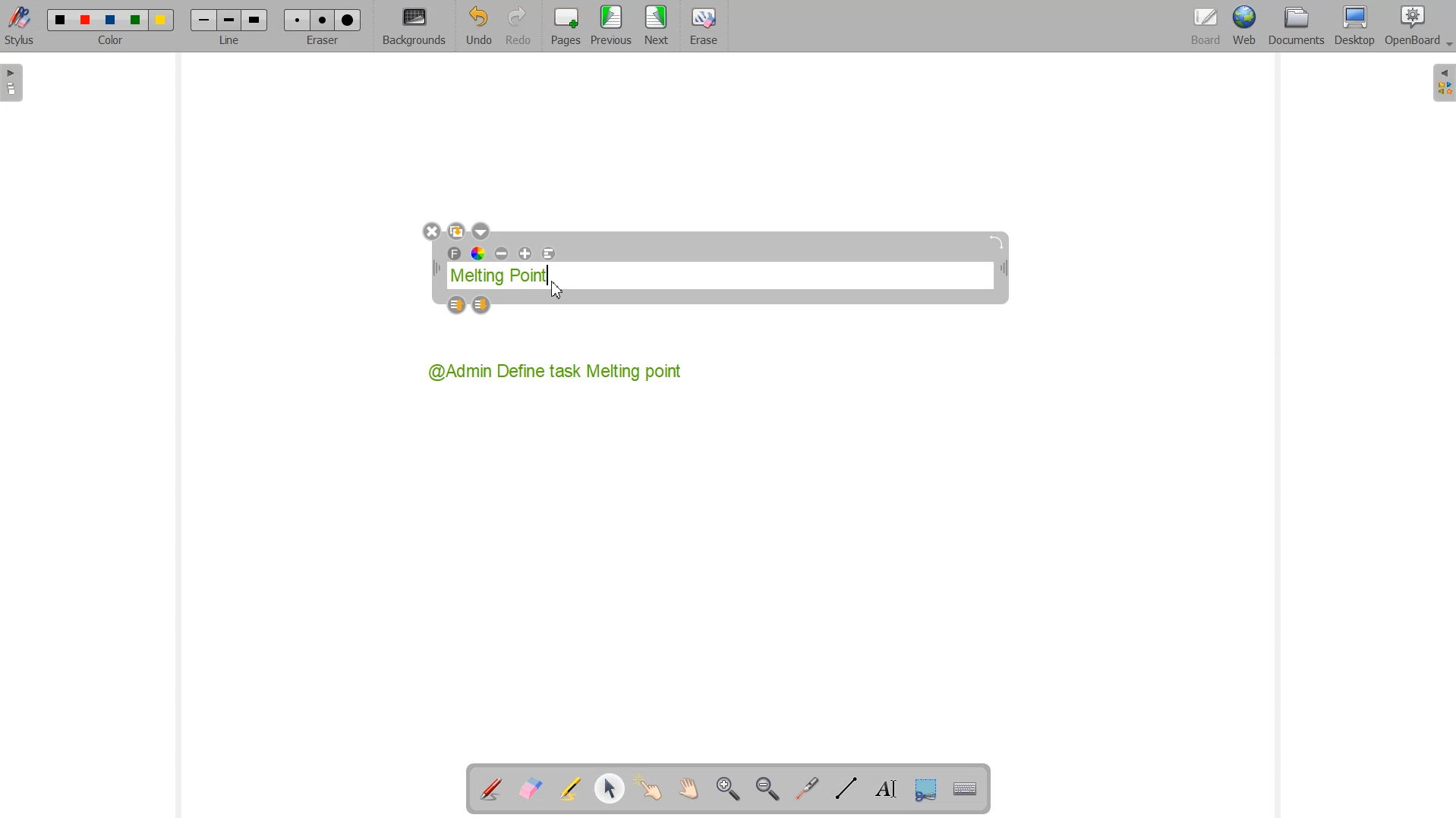 This screenshot has width=1456, height=818. I want to click on , so click(611, 27).